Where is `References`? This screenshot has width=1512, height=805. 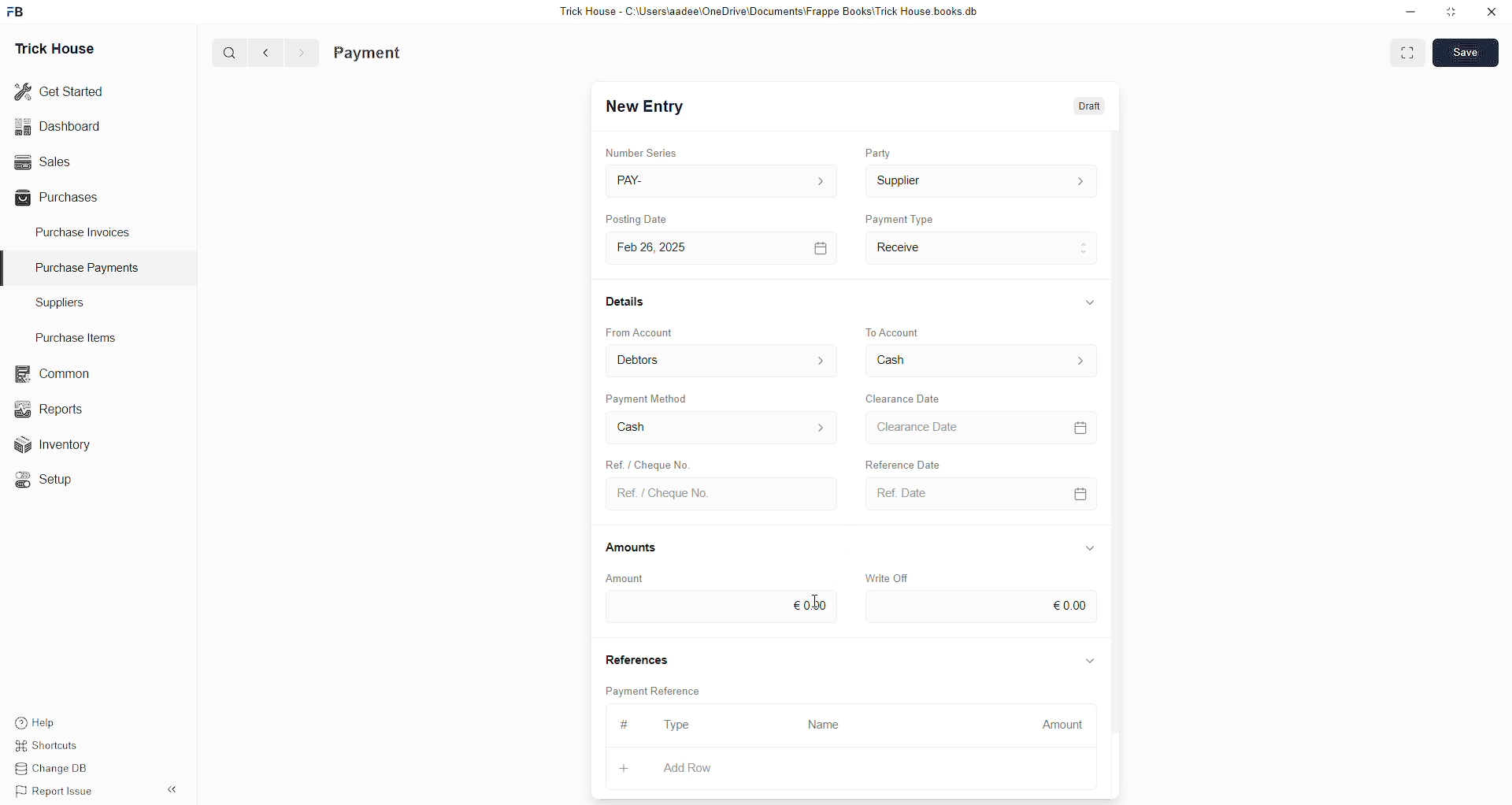 References is located at coordinates (636, 658).